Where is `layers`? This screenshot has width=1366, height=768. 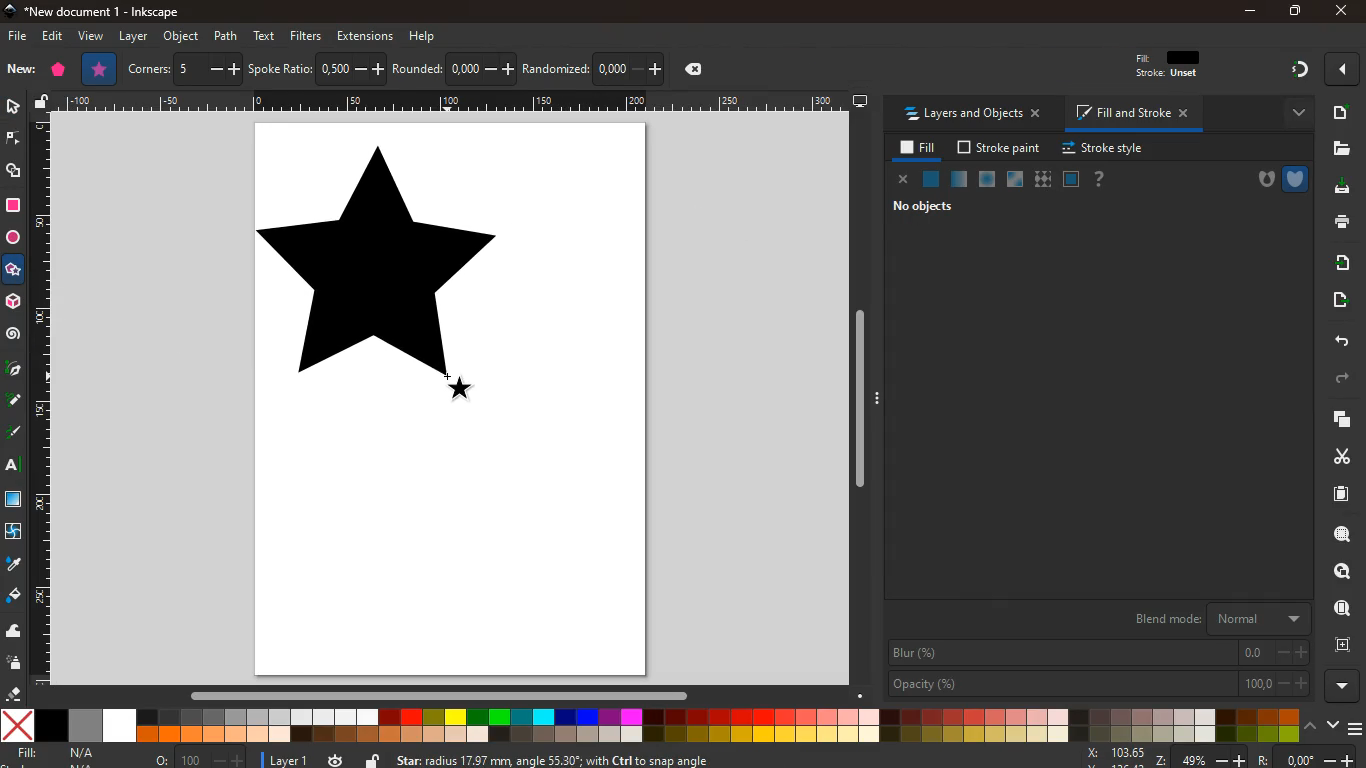
layers is located at coordinates (1334, 419).